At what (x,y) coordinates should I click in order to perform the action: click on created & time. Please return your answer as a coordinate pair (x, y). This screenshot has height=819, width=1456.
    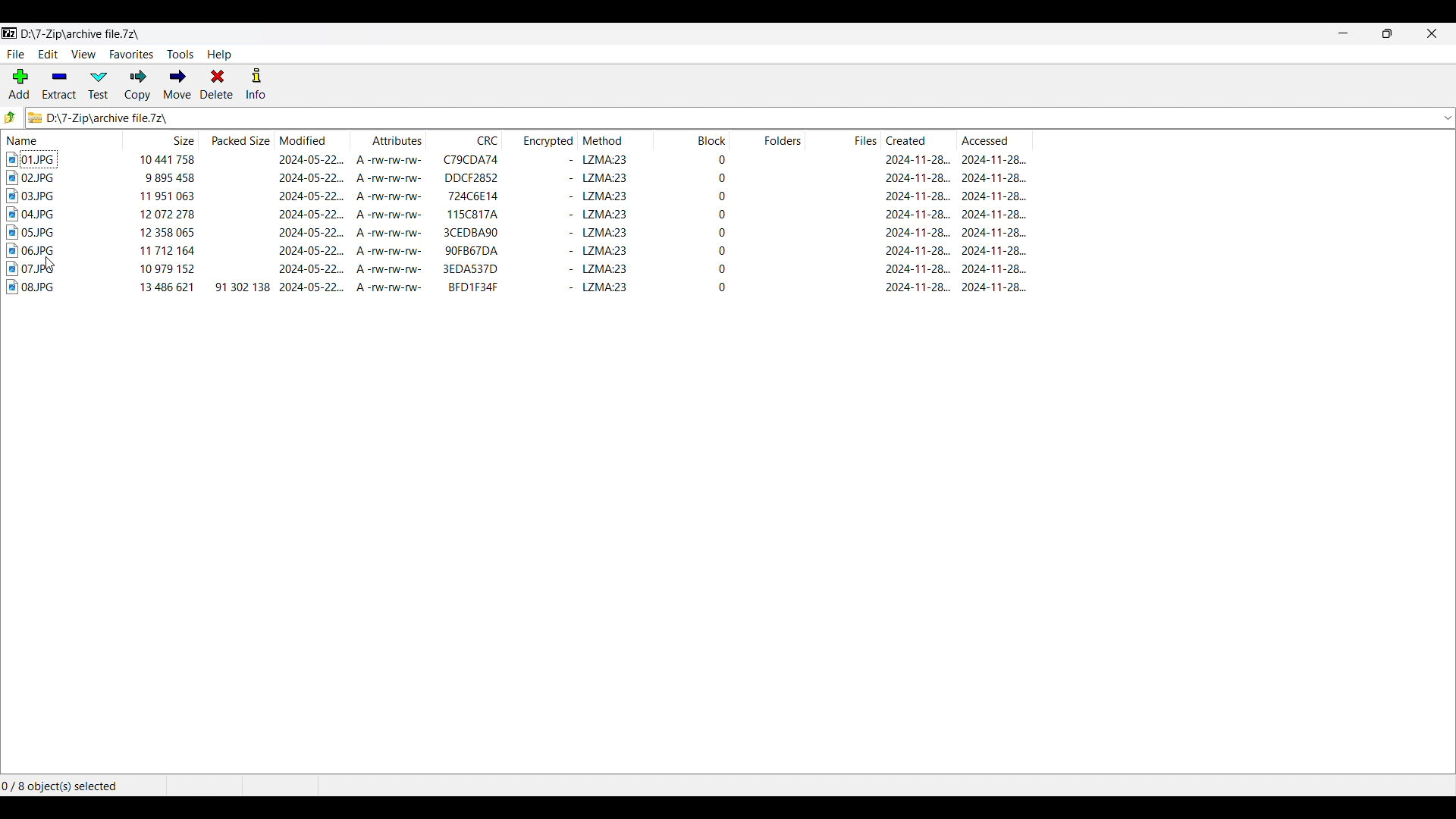
    Looking at the image, I should click on (919, 178).